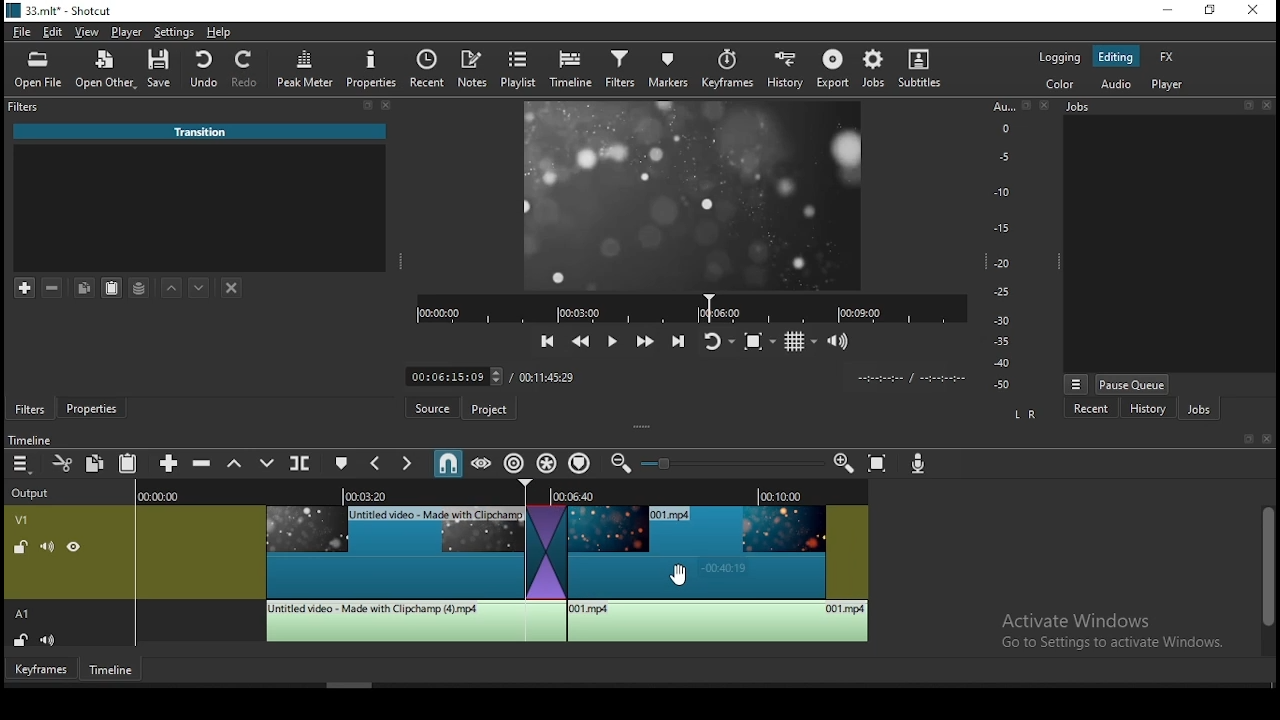 Image resolution: width=1280 pixels, height=720 pixels. I want to click on create/edit marker, so click(343, 464).